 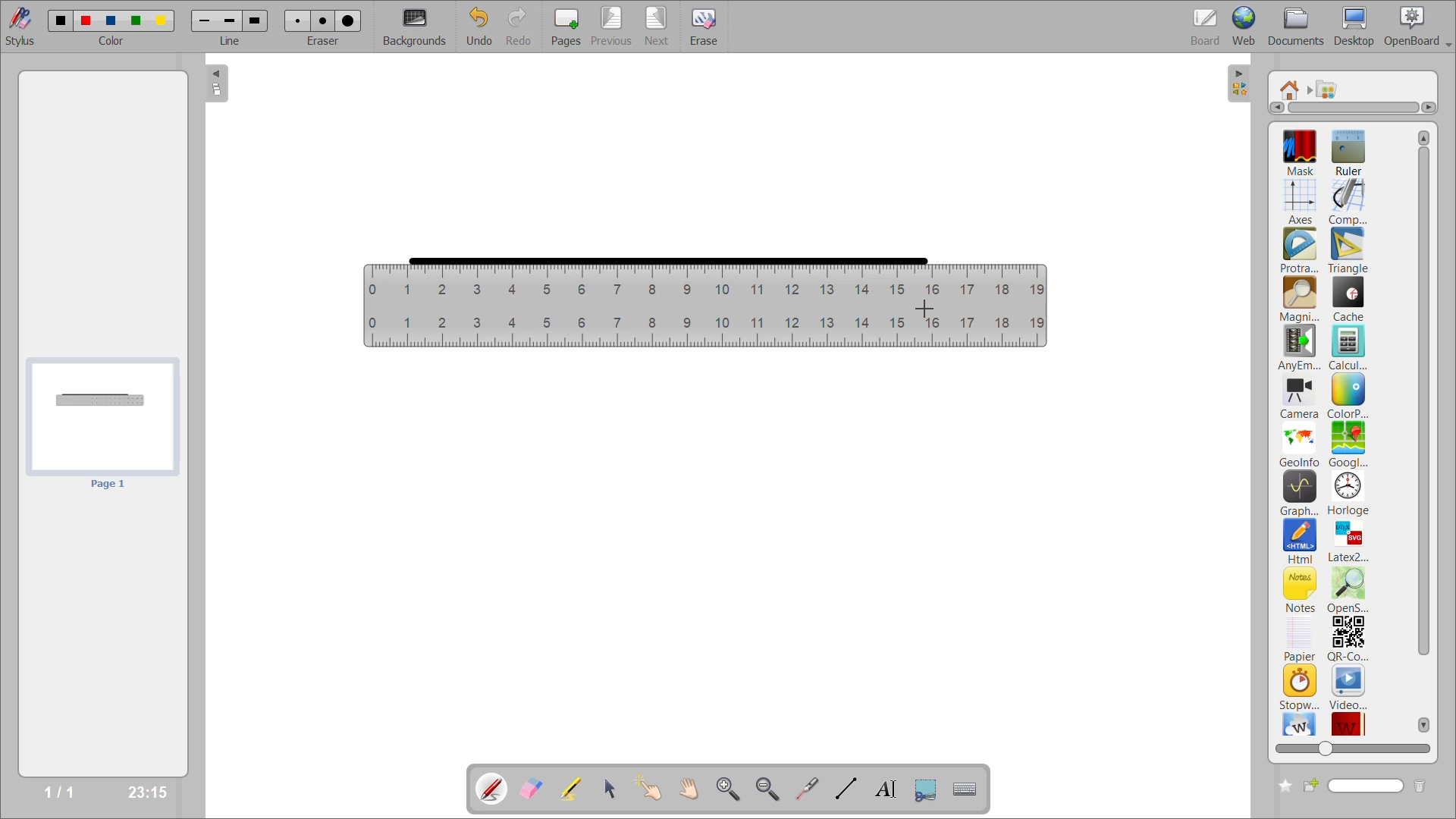 What do you see at coordinates (1350, 347) in the screenshot?
I see `calculator` at bounding box center [1350, 347].